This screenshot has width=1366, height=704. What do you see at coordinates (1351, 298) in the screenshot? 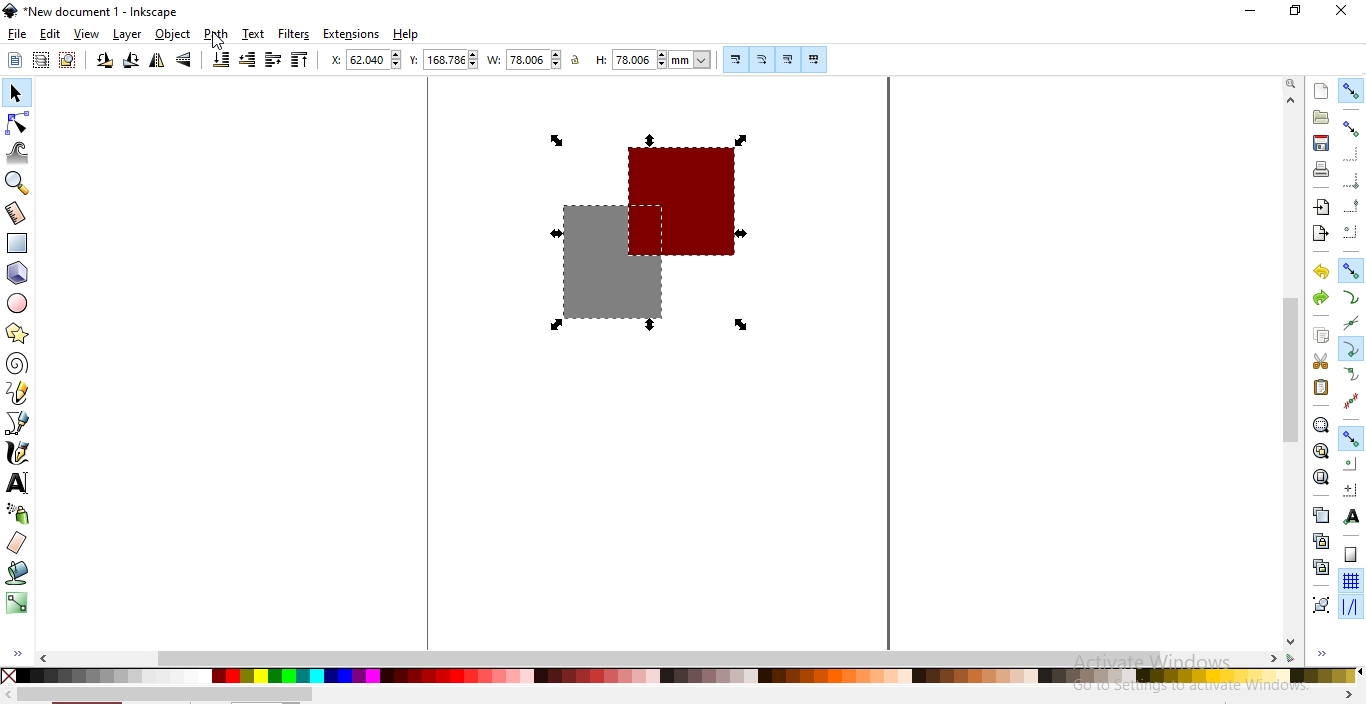
I see `snap to paths` at bounding box center [1351, 298].